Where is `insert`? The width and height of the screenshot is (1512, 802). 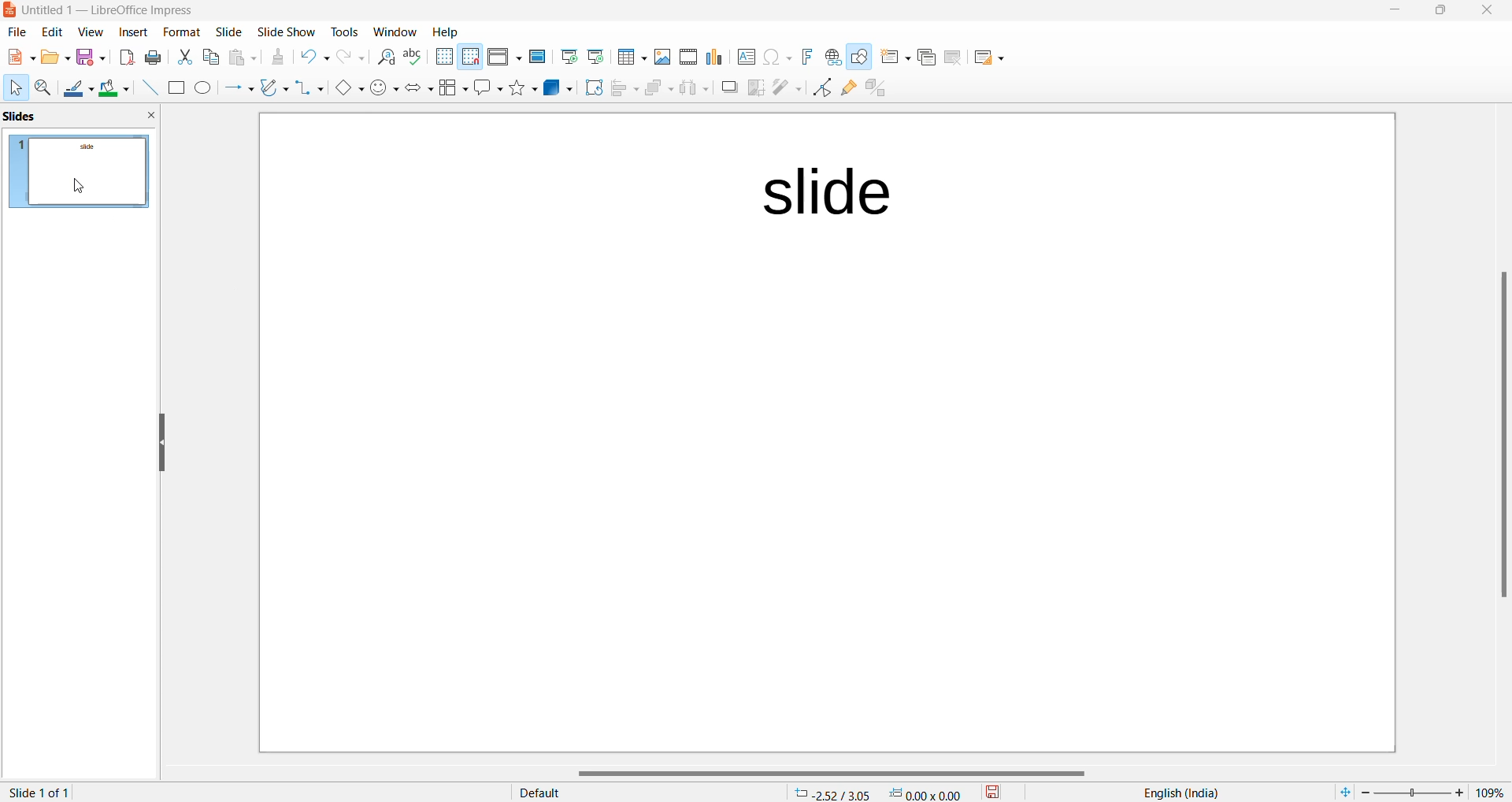 insert is located at coordinates (134, 31).